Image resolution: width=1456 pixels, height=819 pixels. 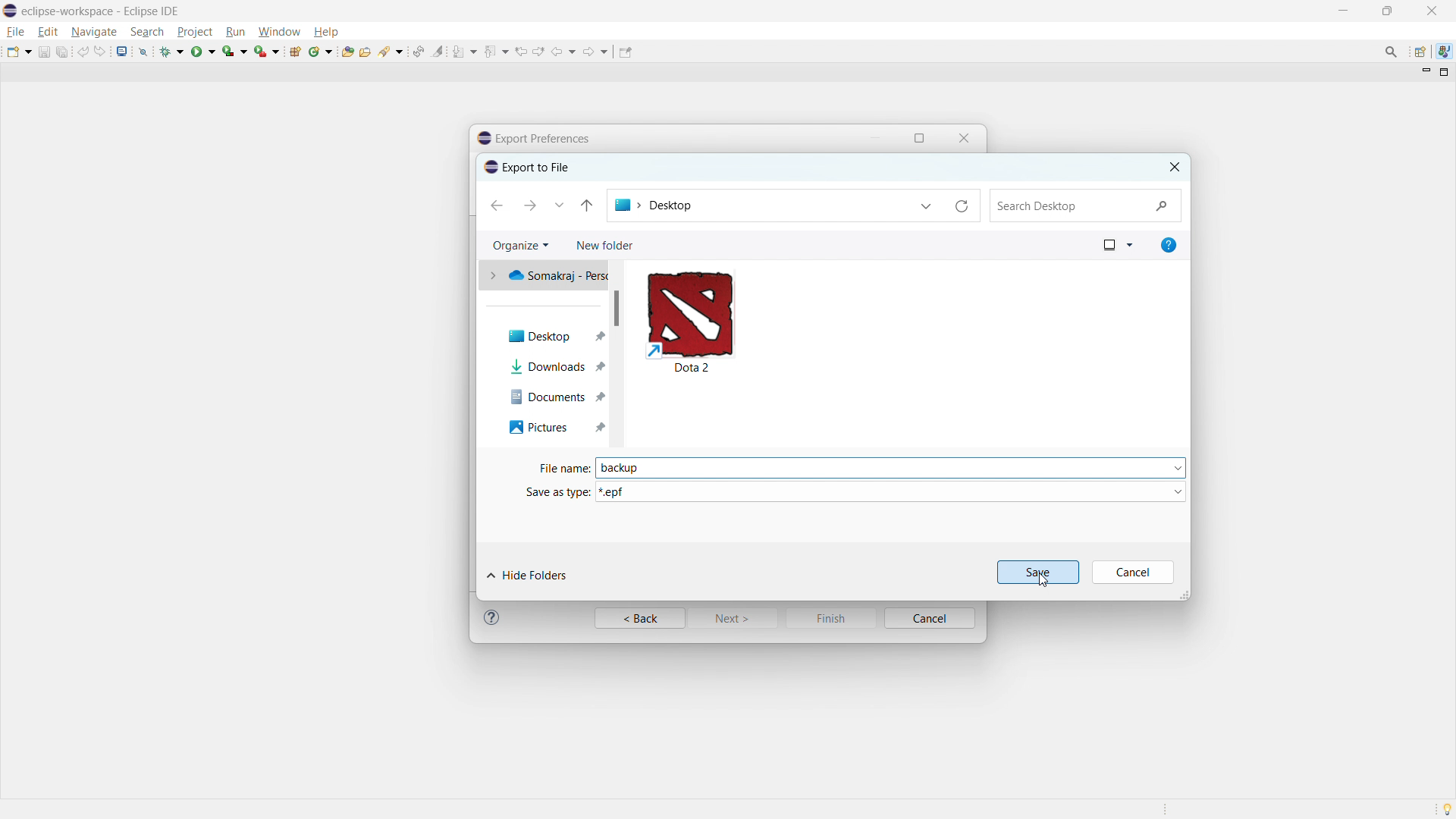 What do you see at coordinates (1419, 52) in the screenshot?
I see `open perspective` at bounding box center [1419, 52].